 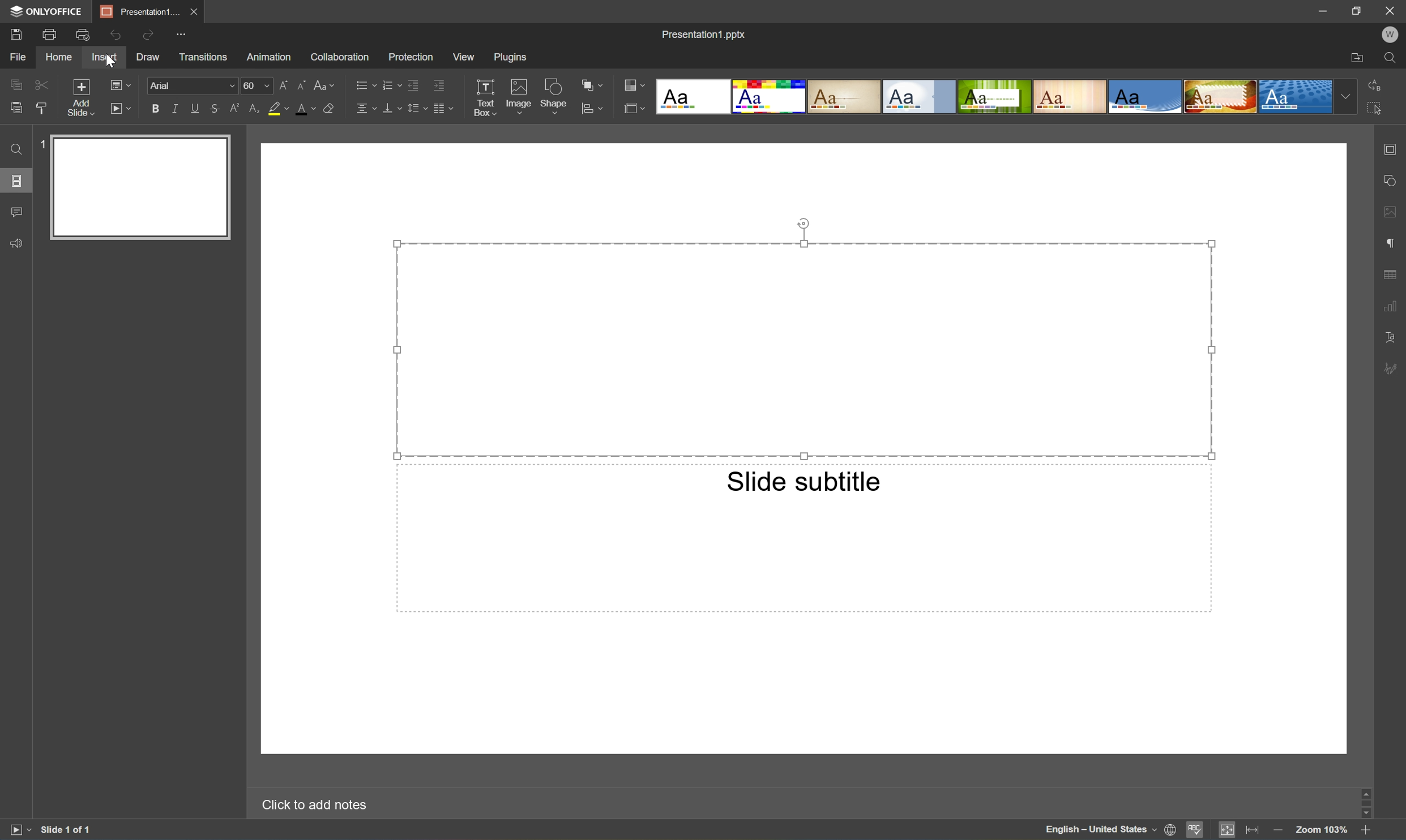 I want to click on Click to add notes, so click(x=314, y=802).